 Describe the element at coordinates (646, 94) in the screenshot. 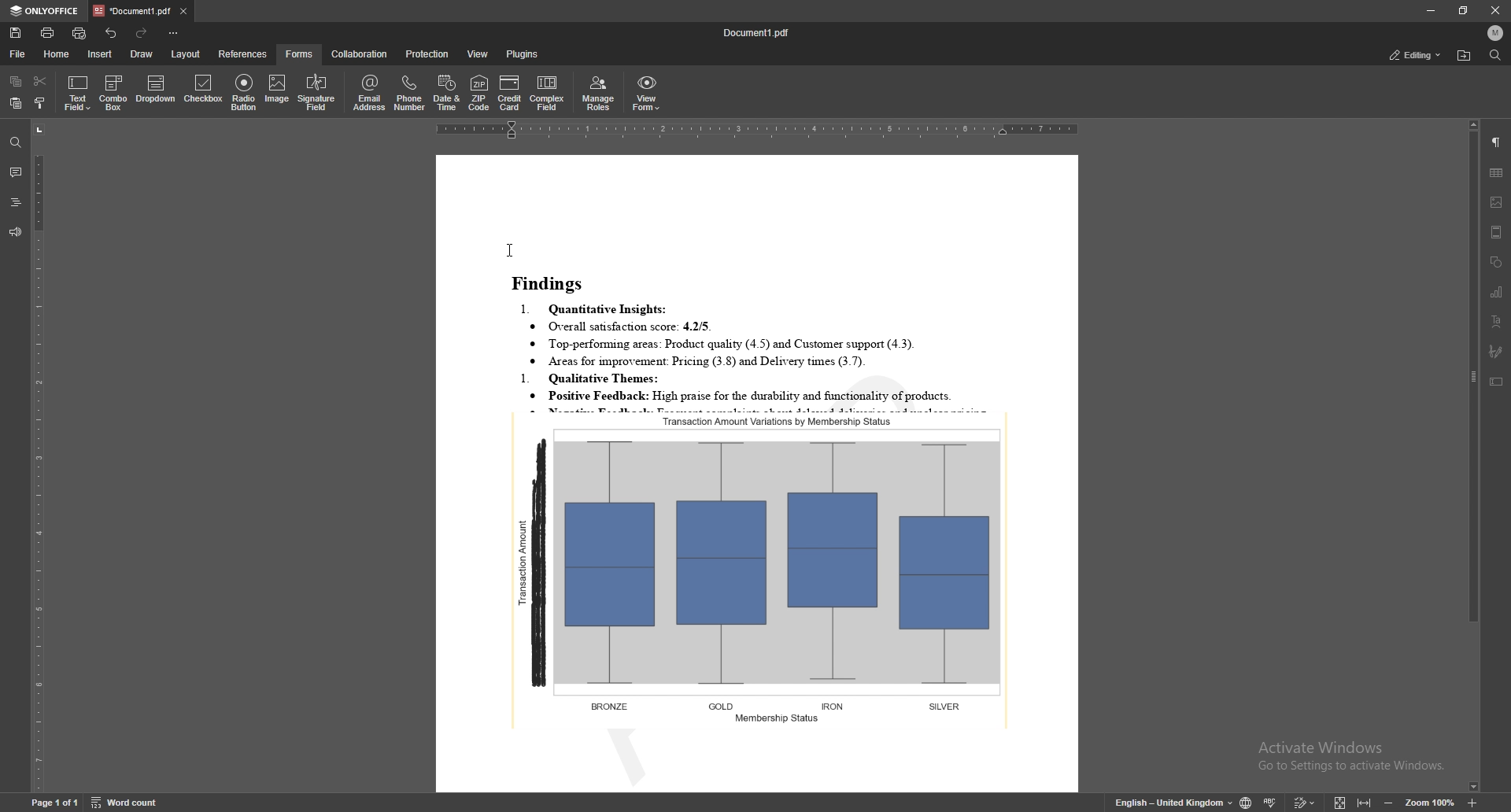

I see `view form` at that location.